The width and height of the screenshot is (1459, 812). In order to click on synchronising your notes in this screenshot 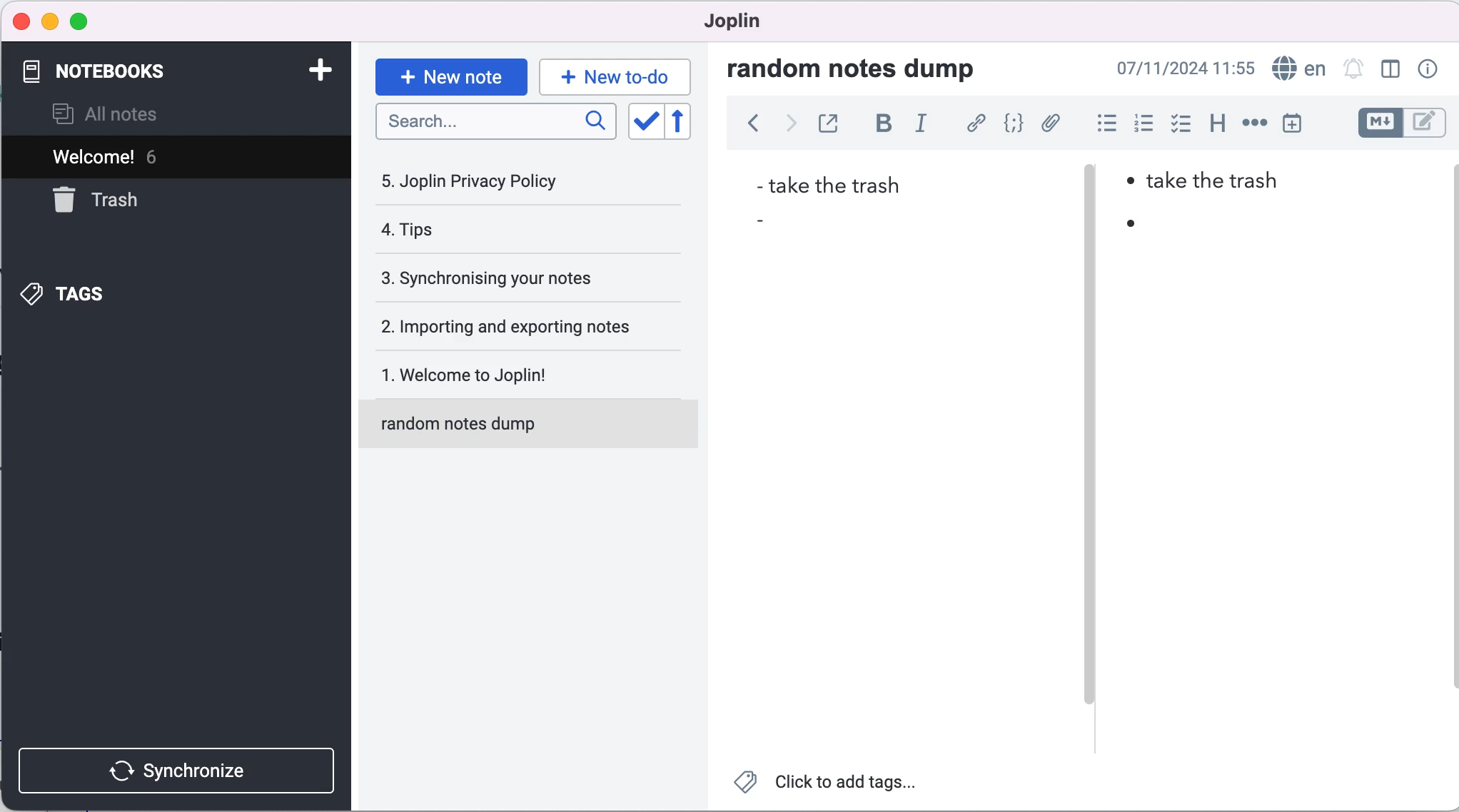, I will do `click(512, 279)`.